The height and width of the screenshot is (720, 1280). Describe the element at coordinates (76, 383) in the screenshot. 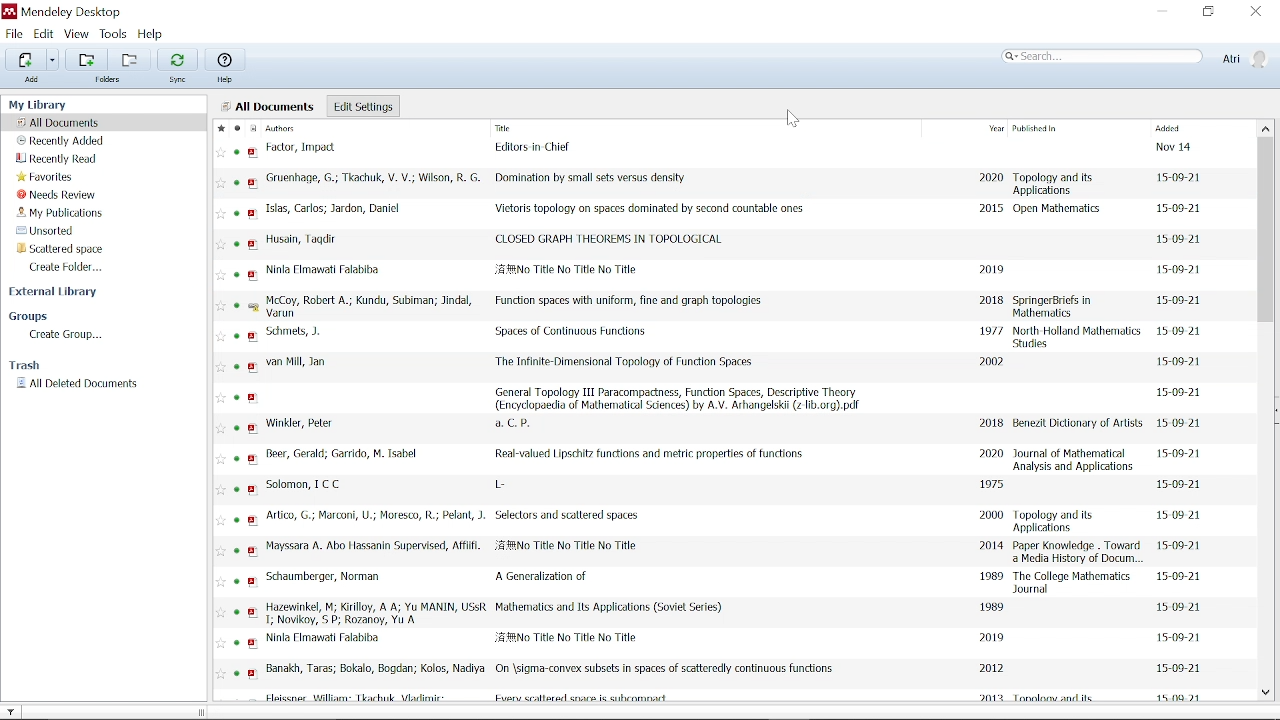

I see `All deleted documents` at that location.